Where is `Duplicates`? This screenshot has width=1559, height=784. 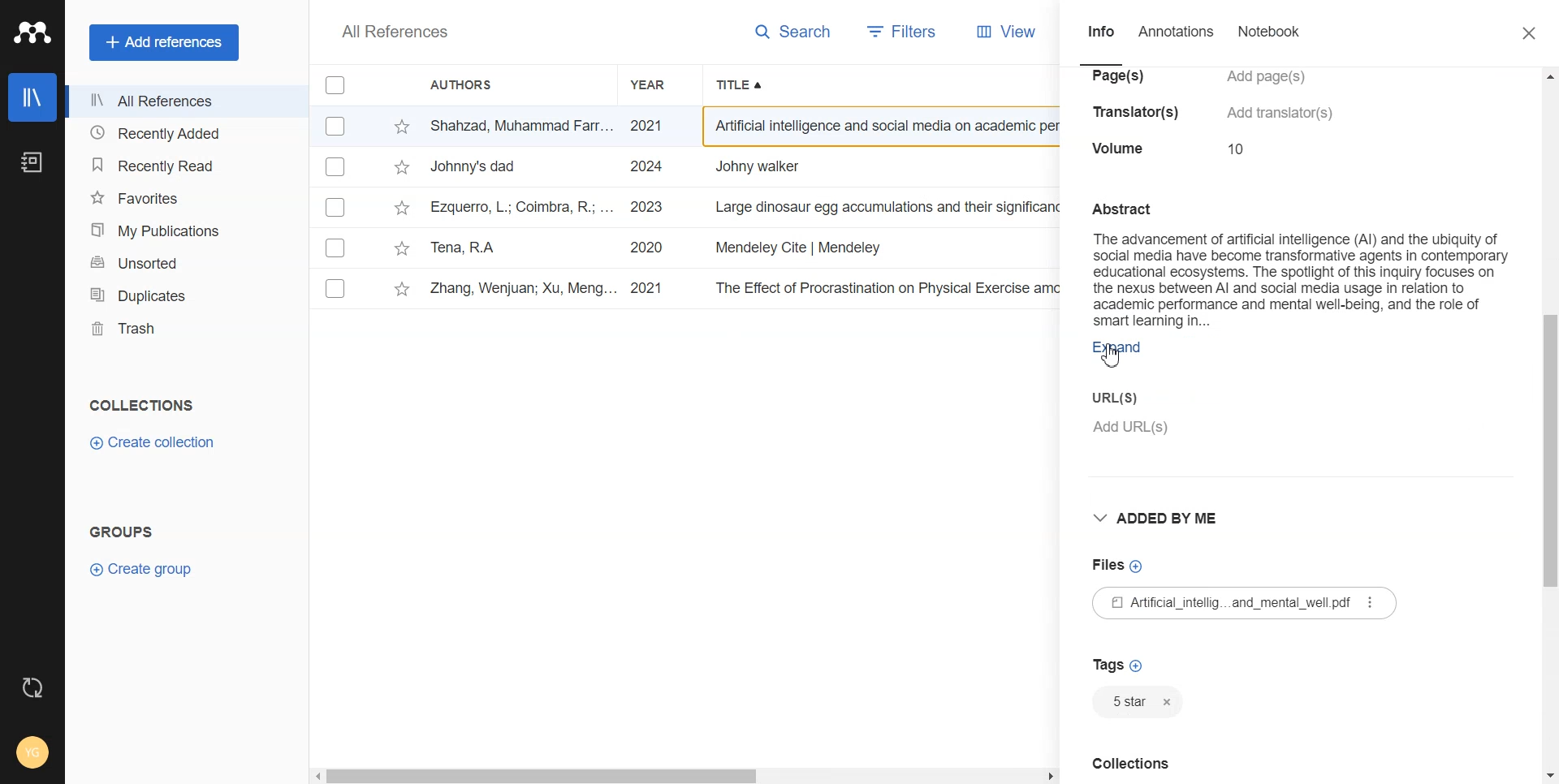
Duplicates is located at coordinates (175, 295).